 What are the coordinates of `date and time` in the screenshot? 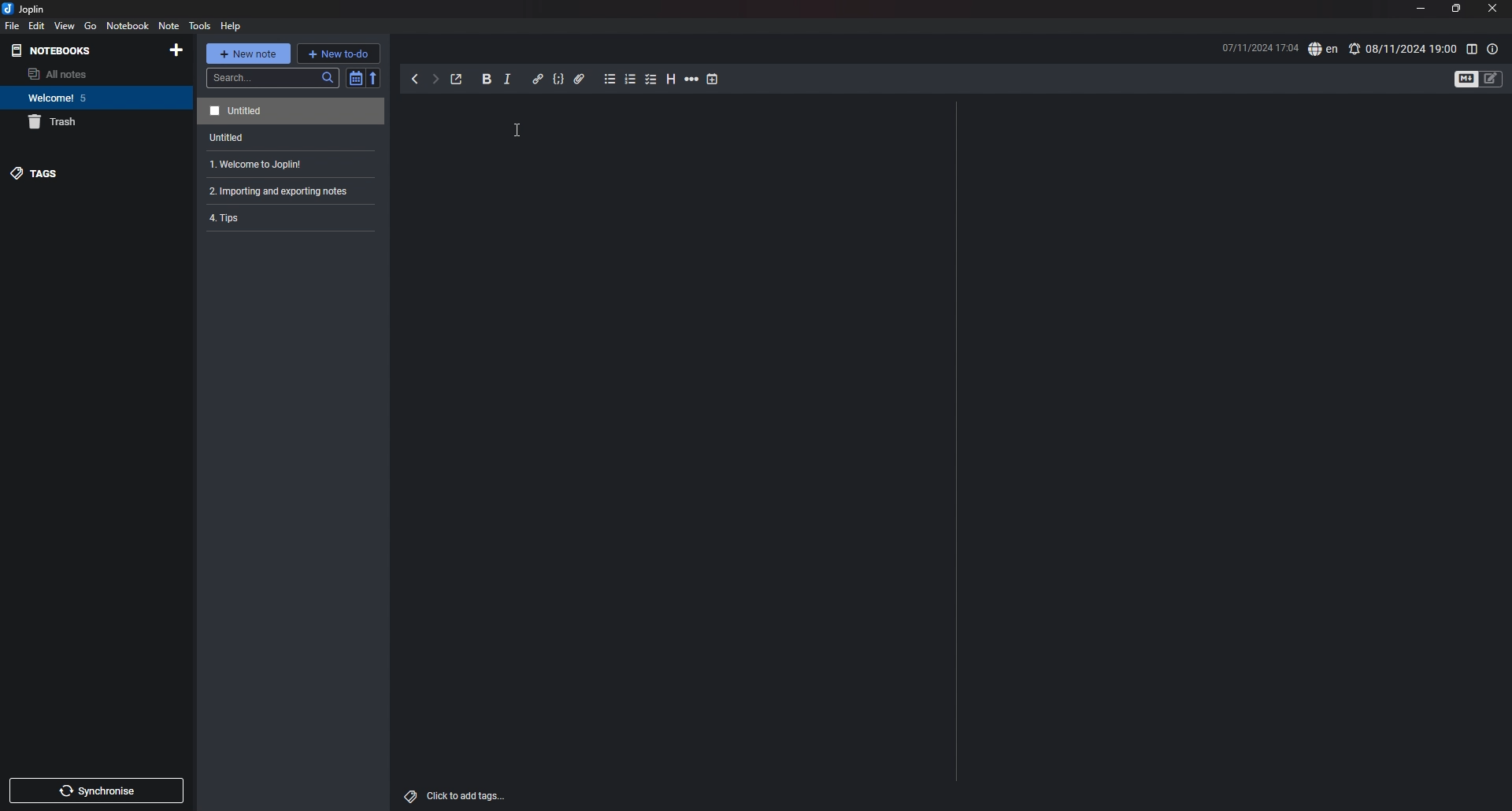 It's located at (1251, 46).